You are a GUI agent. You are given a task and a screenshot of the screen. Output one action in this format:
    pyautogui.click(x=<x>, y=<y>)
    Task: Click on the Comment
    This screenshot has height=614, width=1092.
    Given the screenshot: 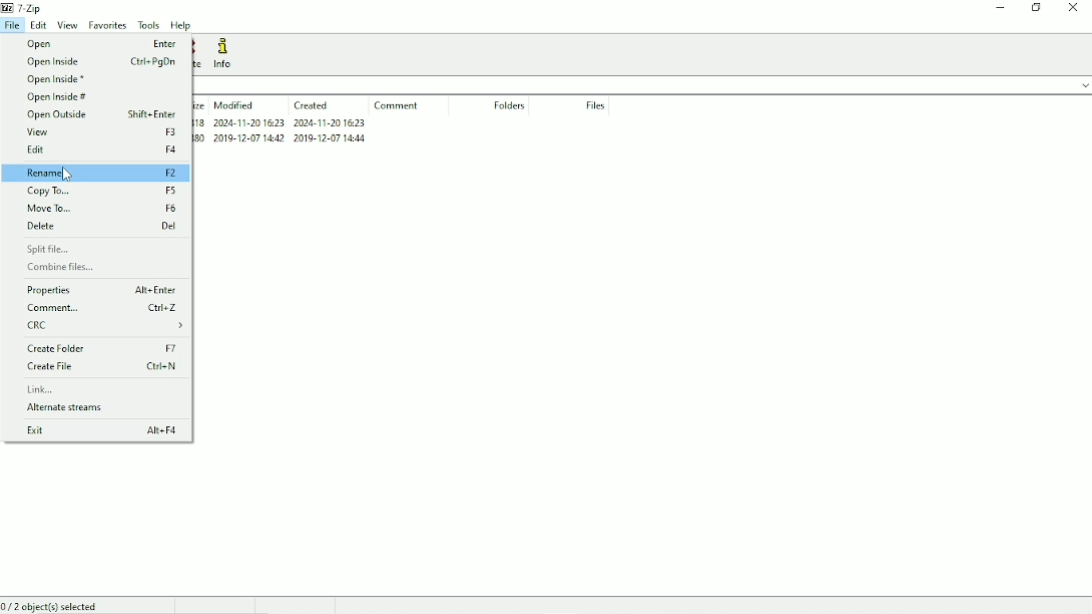 What is the action you would take?
    pyautogui.click(x=397, y=106)
    